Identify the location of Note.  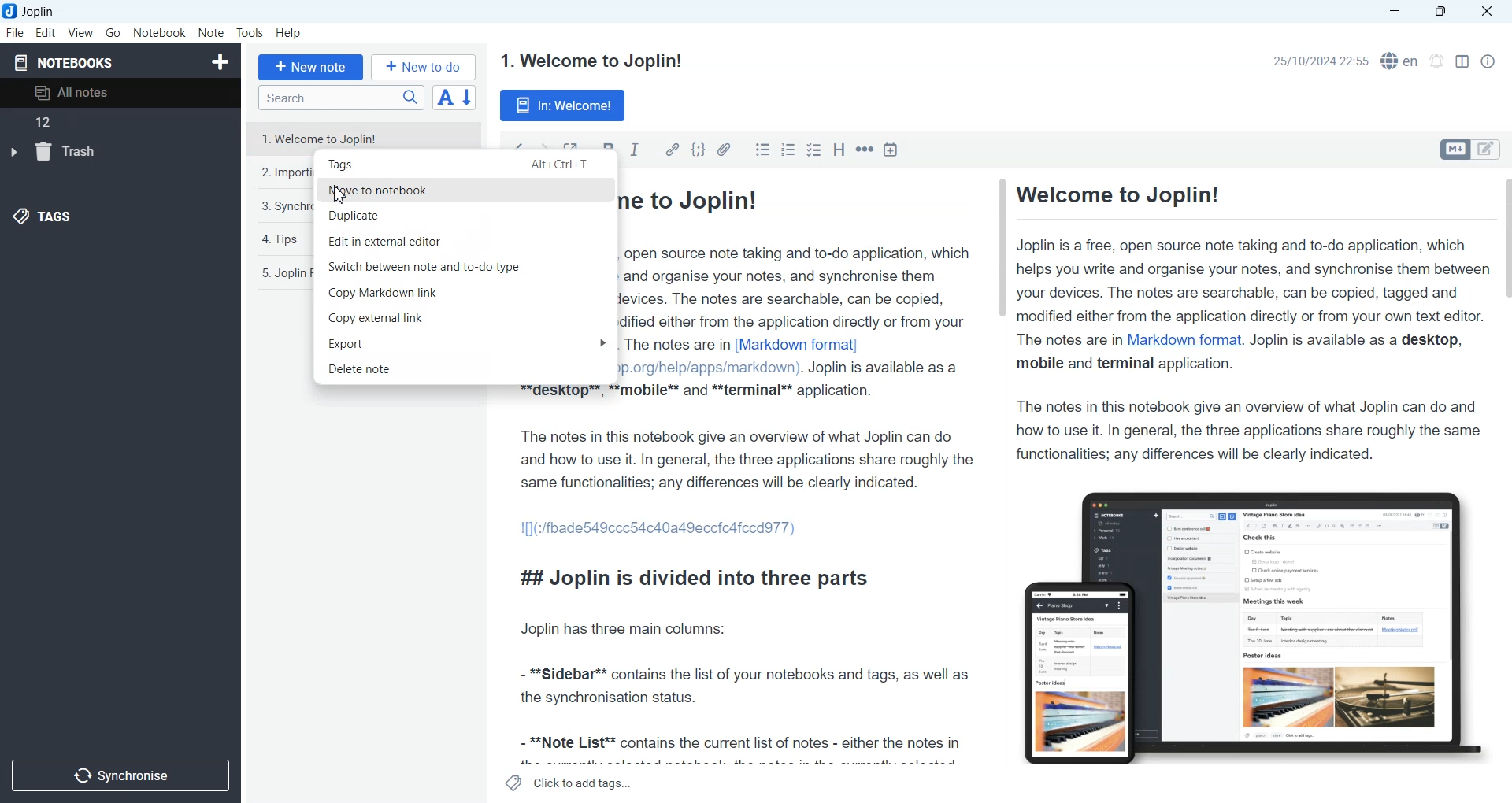
(210, 33).